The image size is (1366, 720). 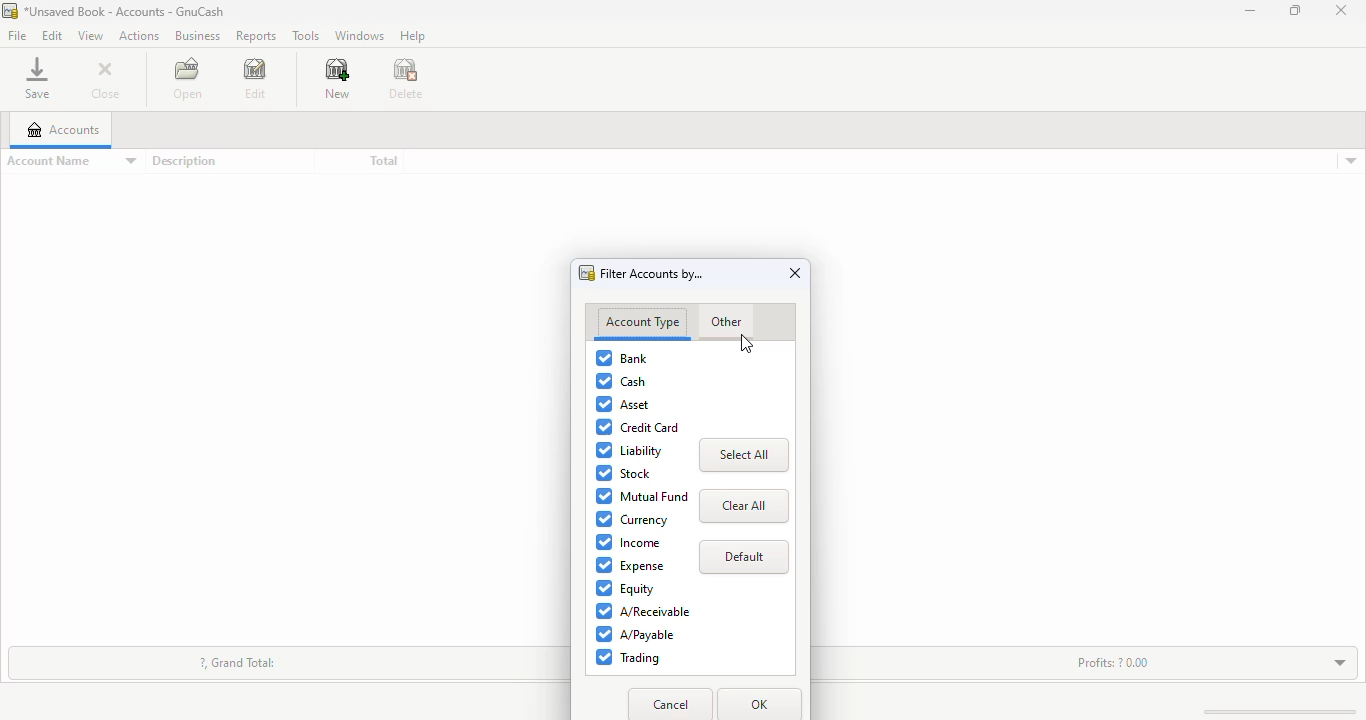 I want to click on other, so click(x=725, y=323).